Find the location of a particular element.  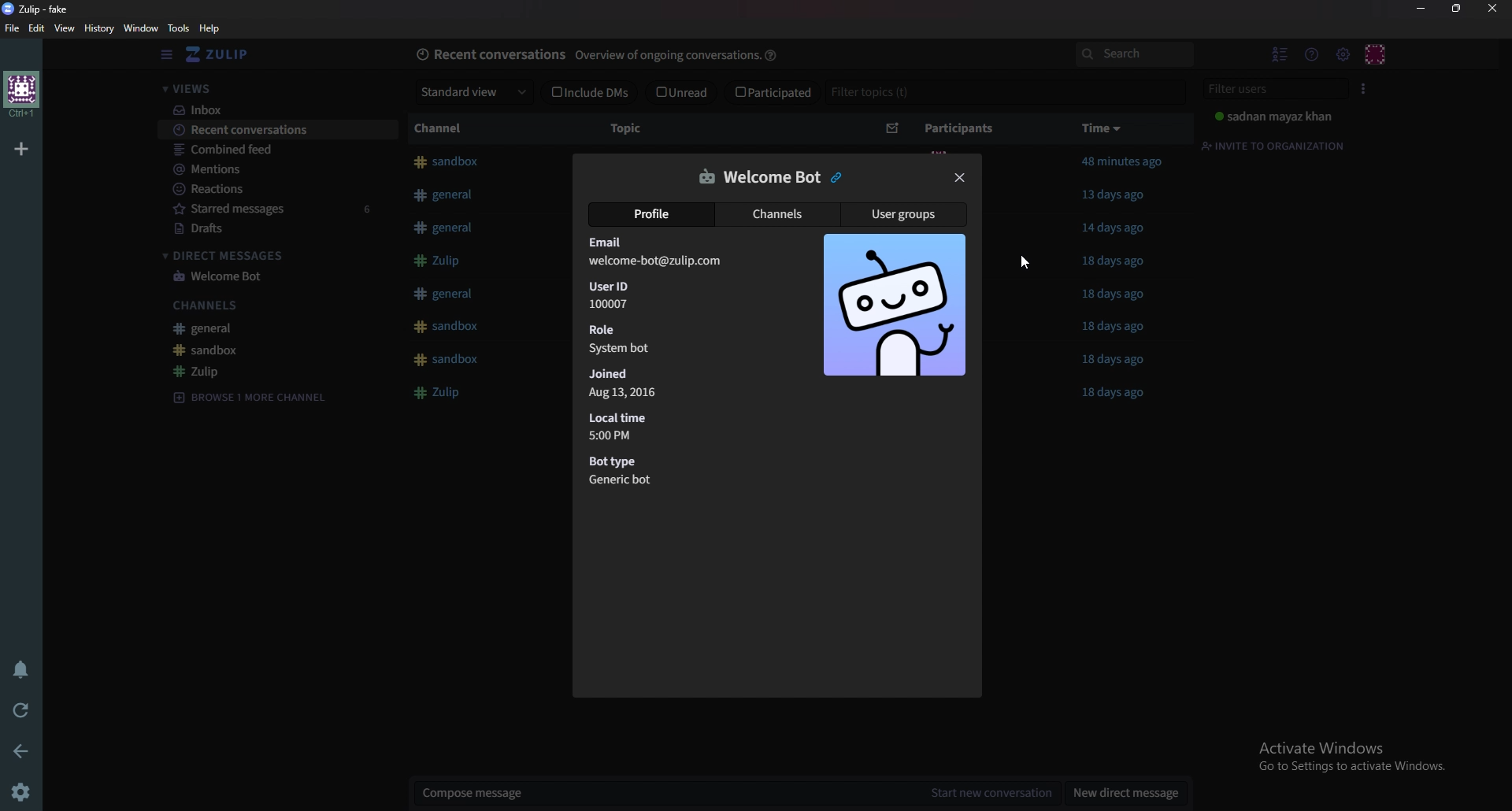

Email welcome-bot@zulip.com is located at coordinates (658, 254).